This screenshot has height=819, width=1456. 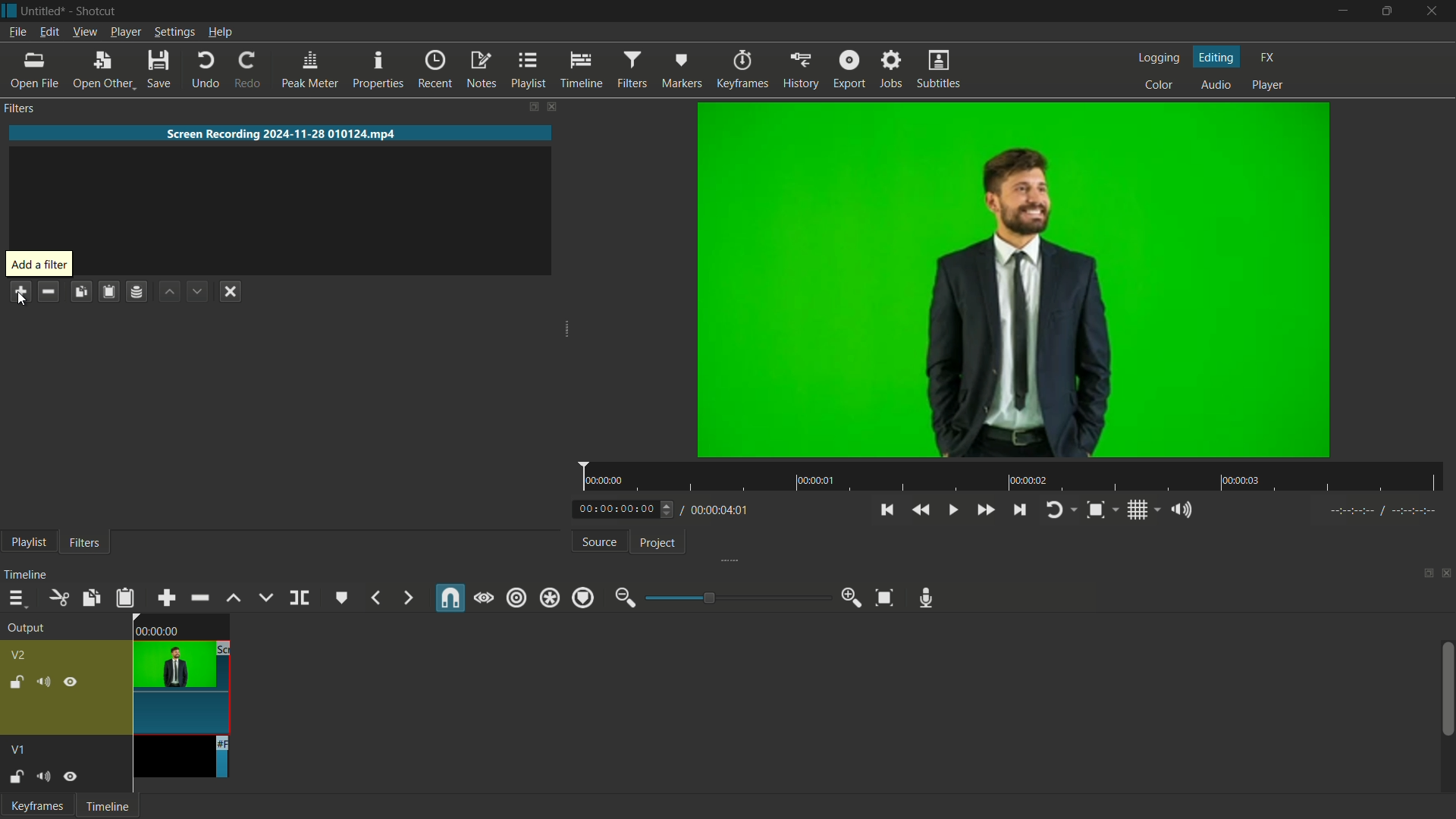 What do you see at coordinates (484, 598) in the screenshot?
I see `scrub while dragging` at bounding box center [484, 598].